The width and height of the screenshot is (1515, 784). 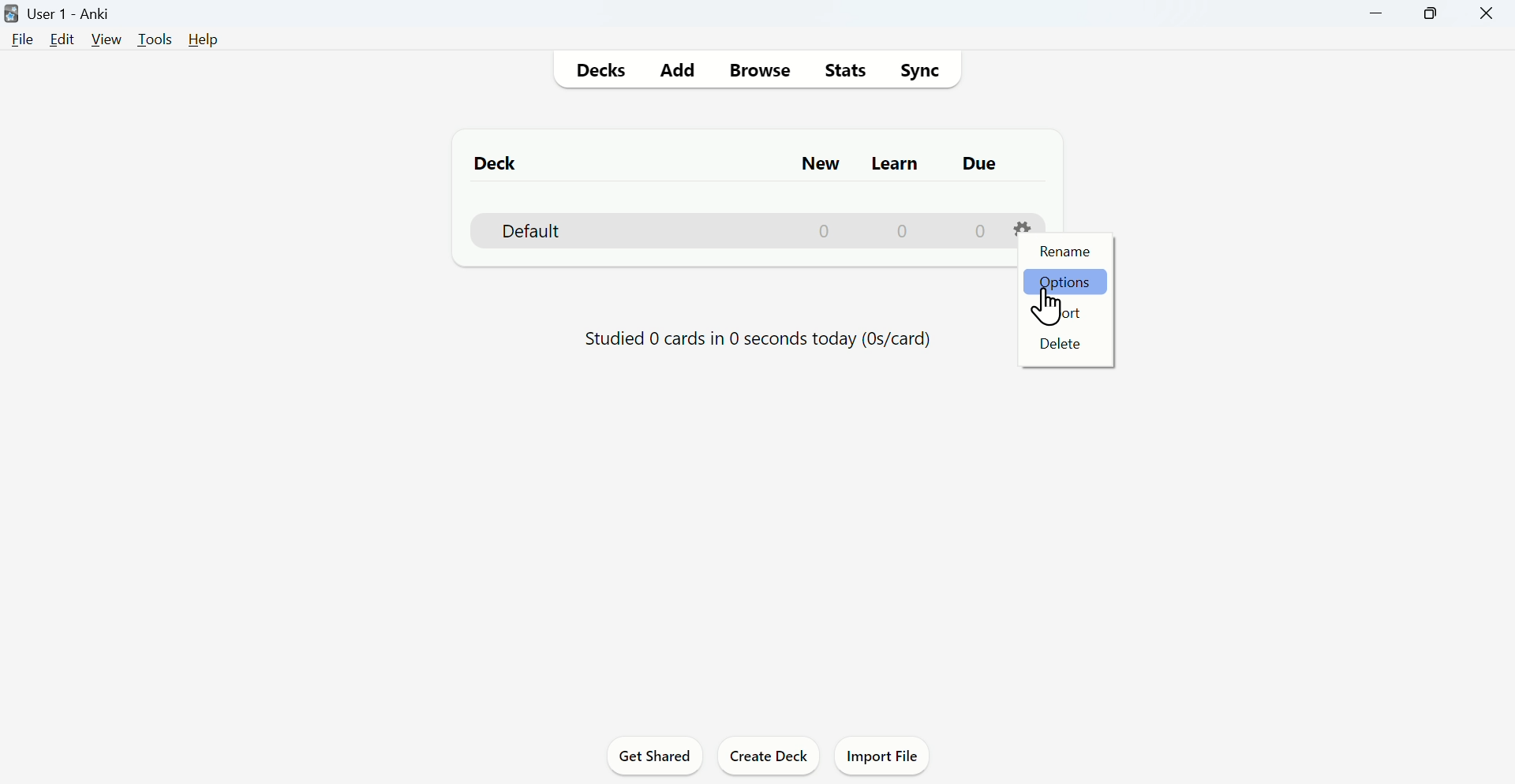 What do you see at coordinates (62, 39) in the screenshot?
I see `Edit` at bounding box center [62, 39].